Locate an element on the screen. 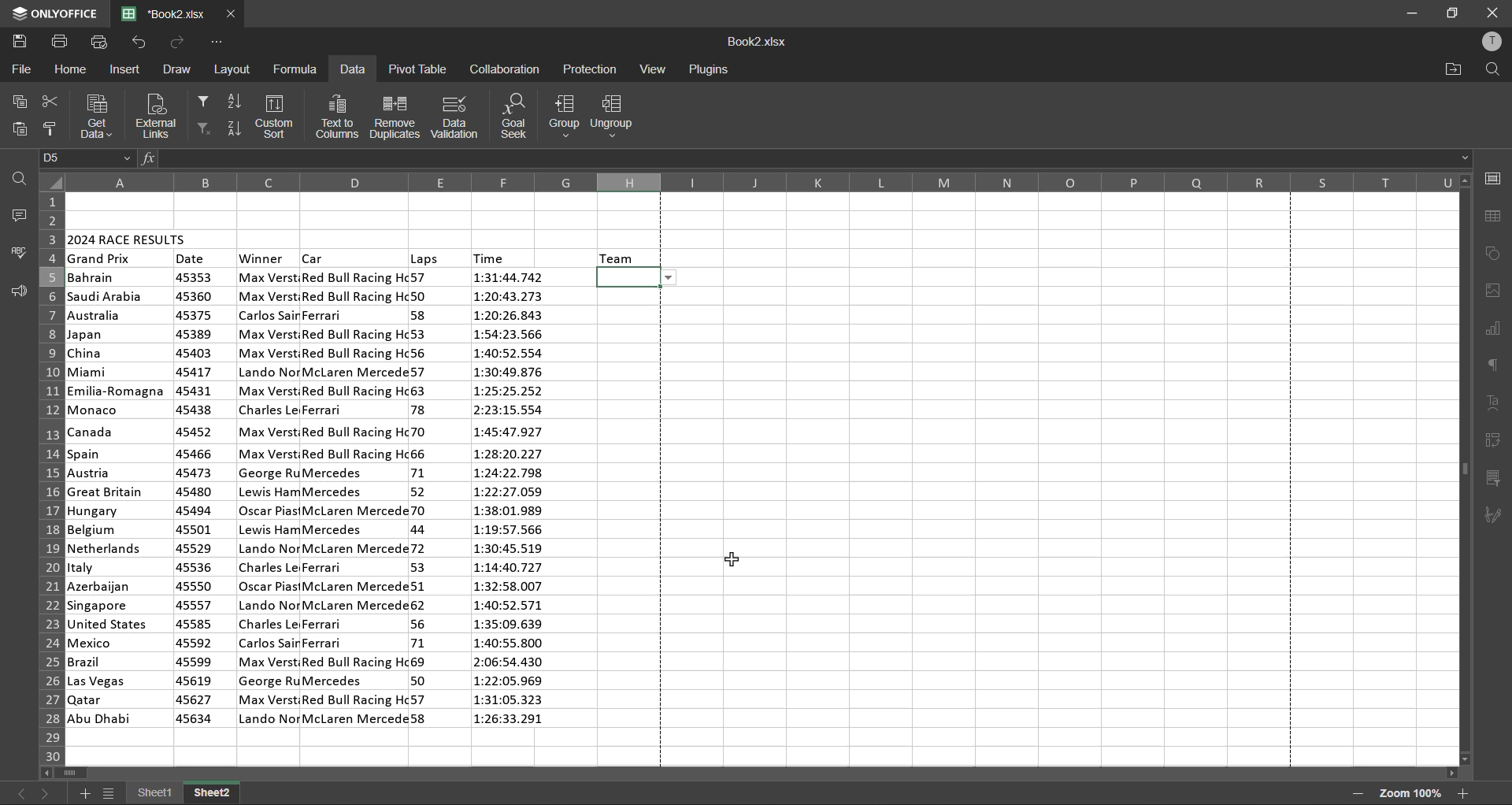  text is located at coordinates (1495, 403).